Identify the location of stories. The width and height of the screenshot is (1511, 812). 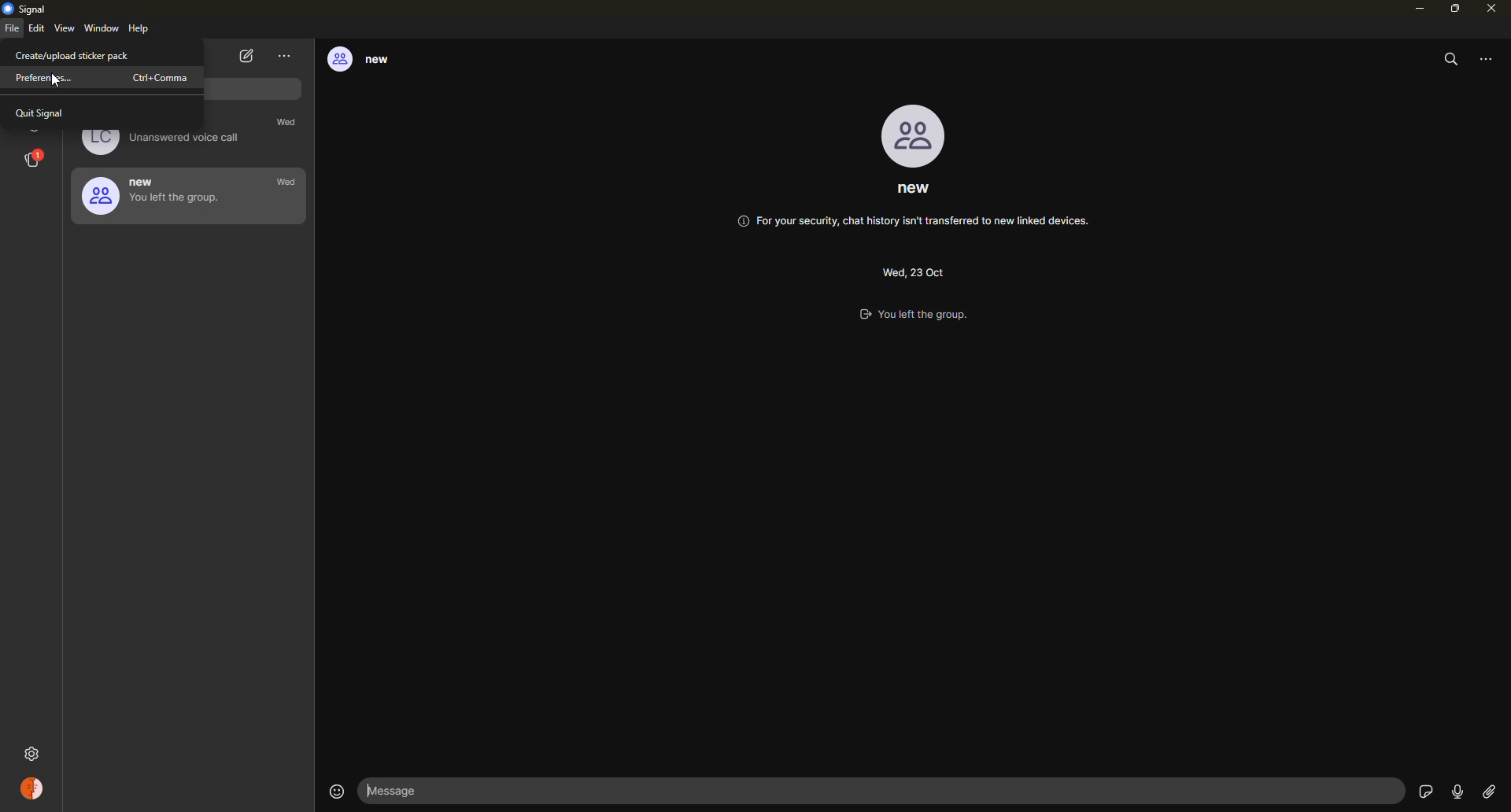
(35, 159).